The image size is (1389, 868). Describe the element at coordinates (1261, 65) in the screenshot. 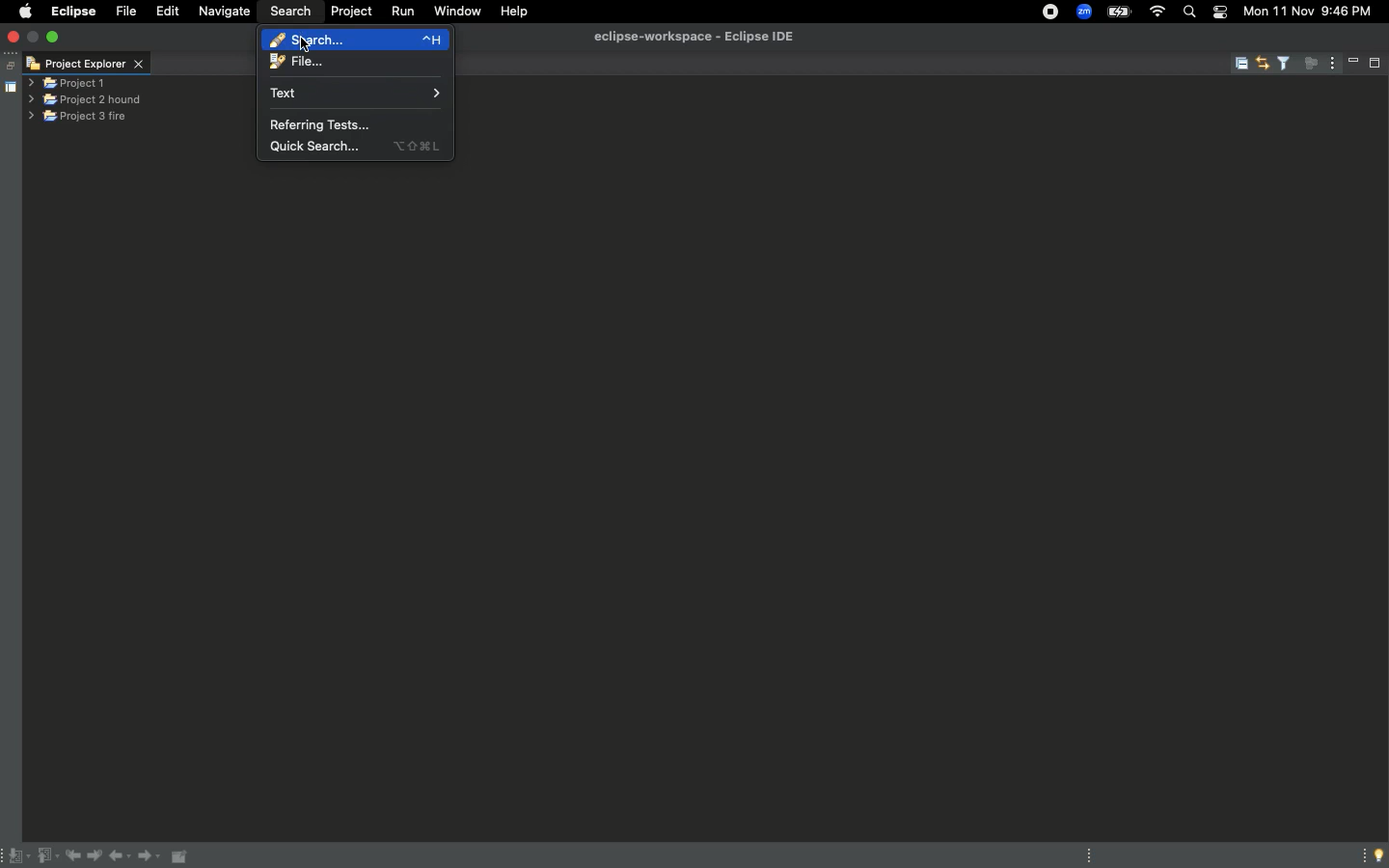

I see `Link with editor` at that location.